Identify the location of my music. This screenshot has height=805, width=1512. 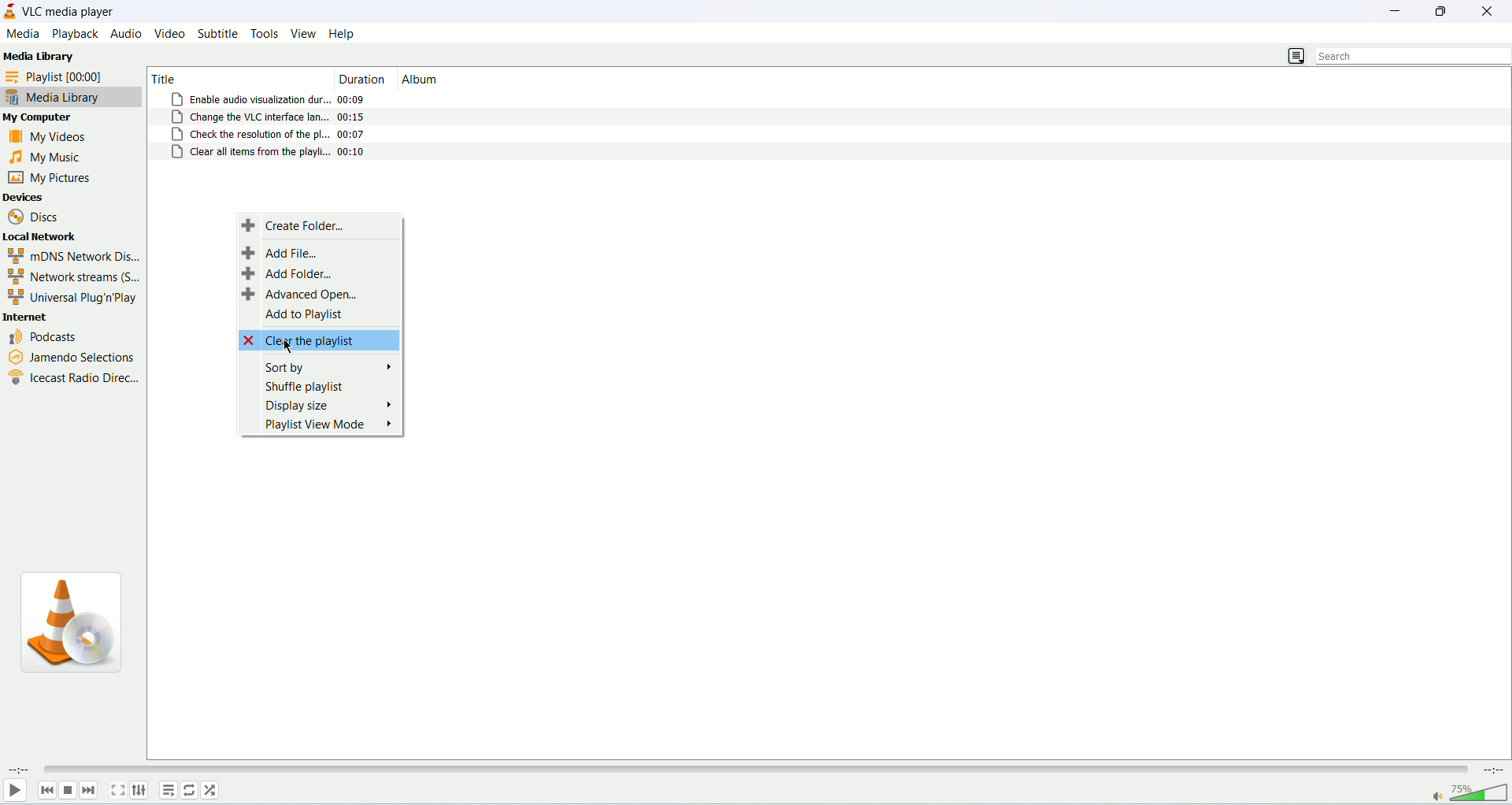
(48, 158).